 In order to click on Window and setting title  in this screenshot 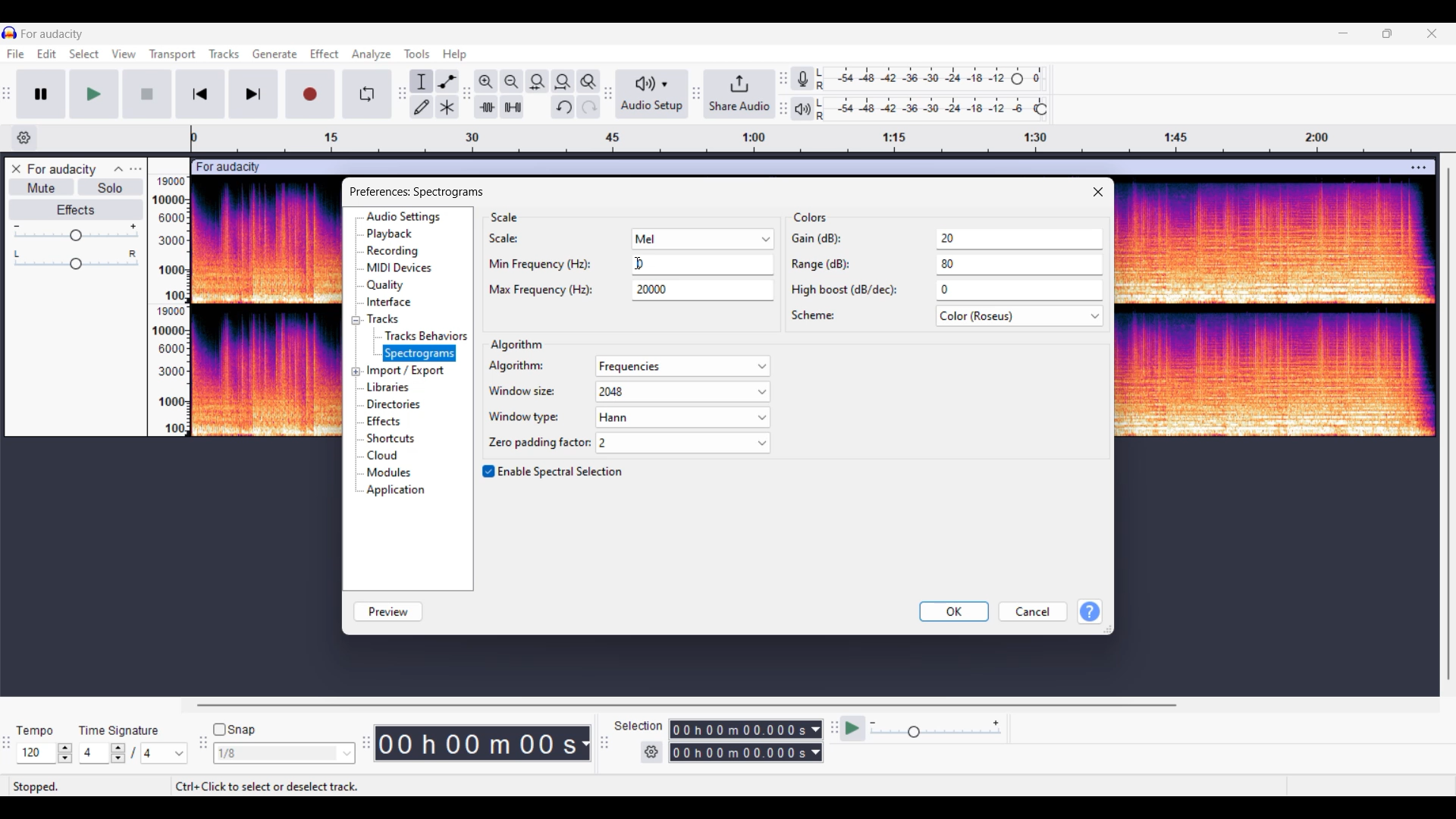, I will do `click(416, 190)`.